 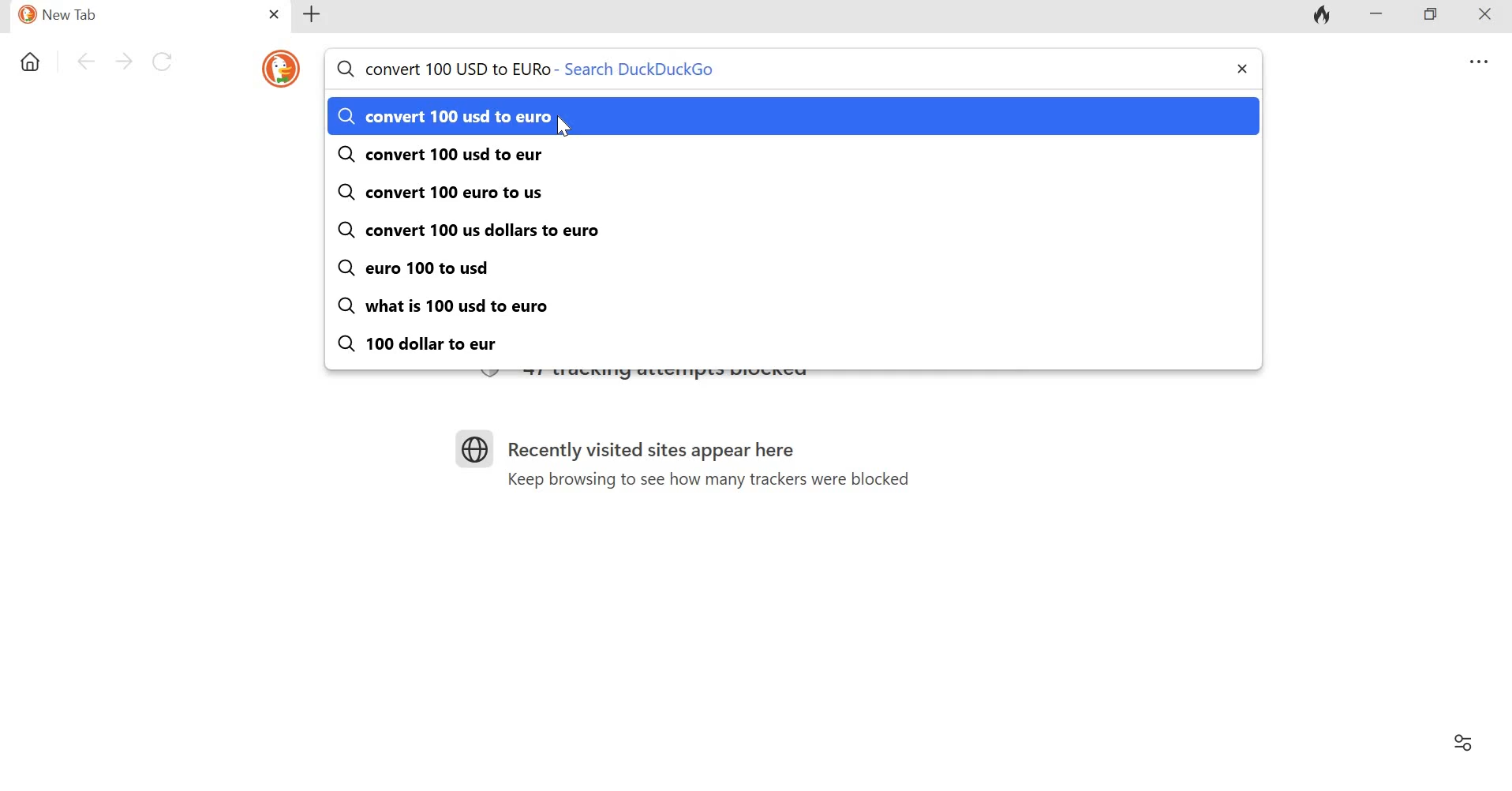 What do you see at coordinates (1480, 62) in the screenshot?
I see `Overflow menu` at bounding box center [1480, 62].